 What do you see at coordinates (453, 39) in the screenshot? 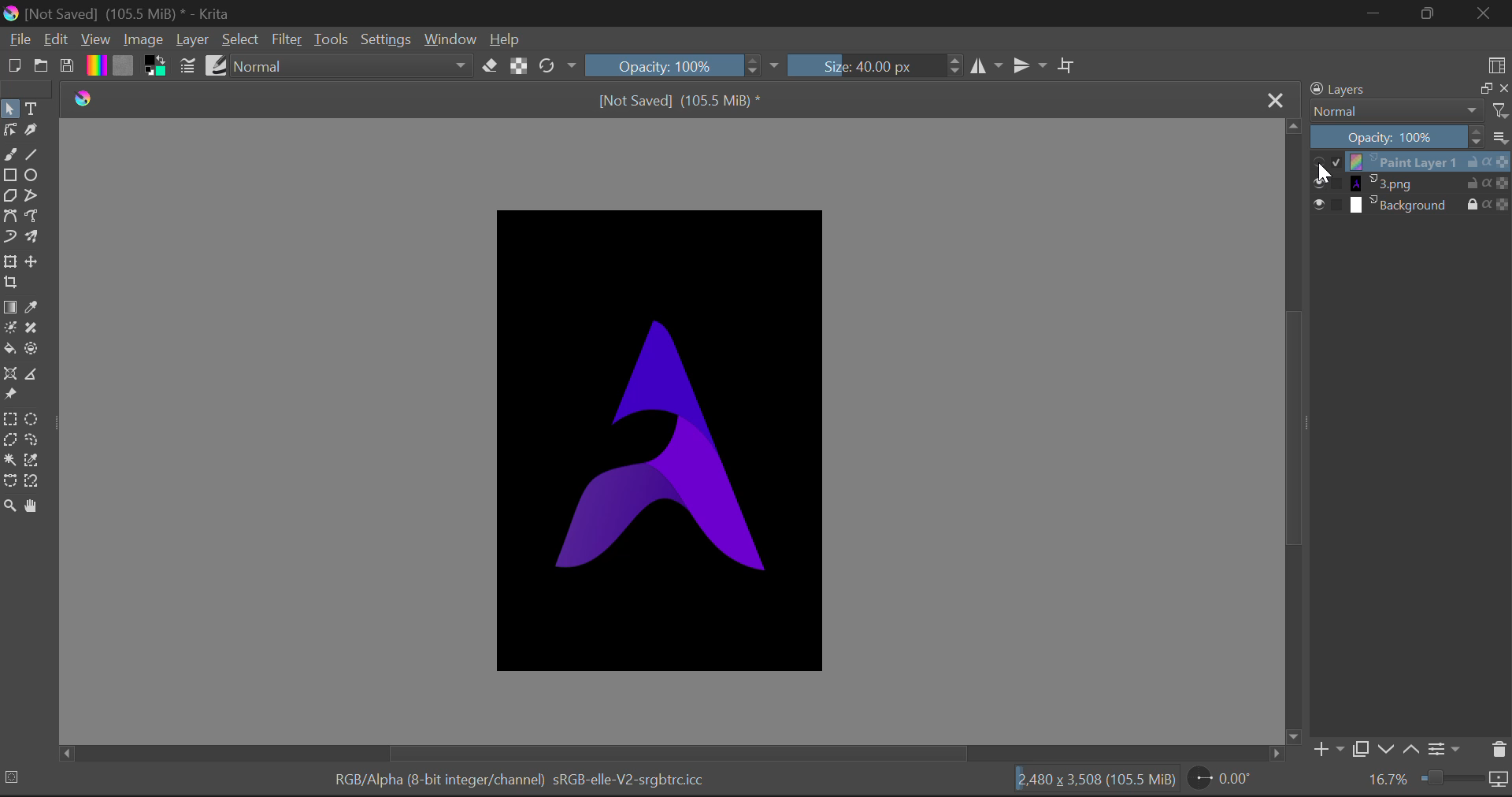
I see `Window` at bounding box center [453, 39].